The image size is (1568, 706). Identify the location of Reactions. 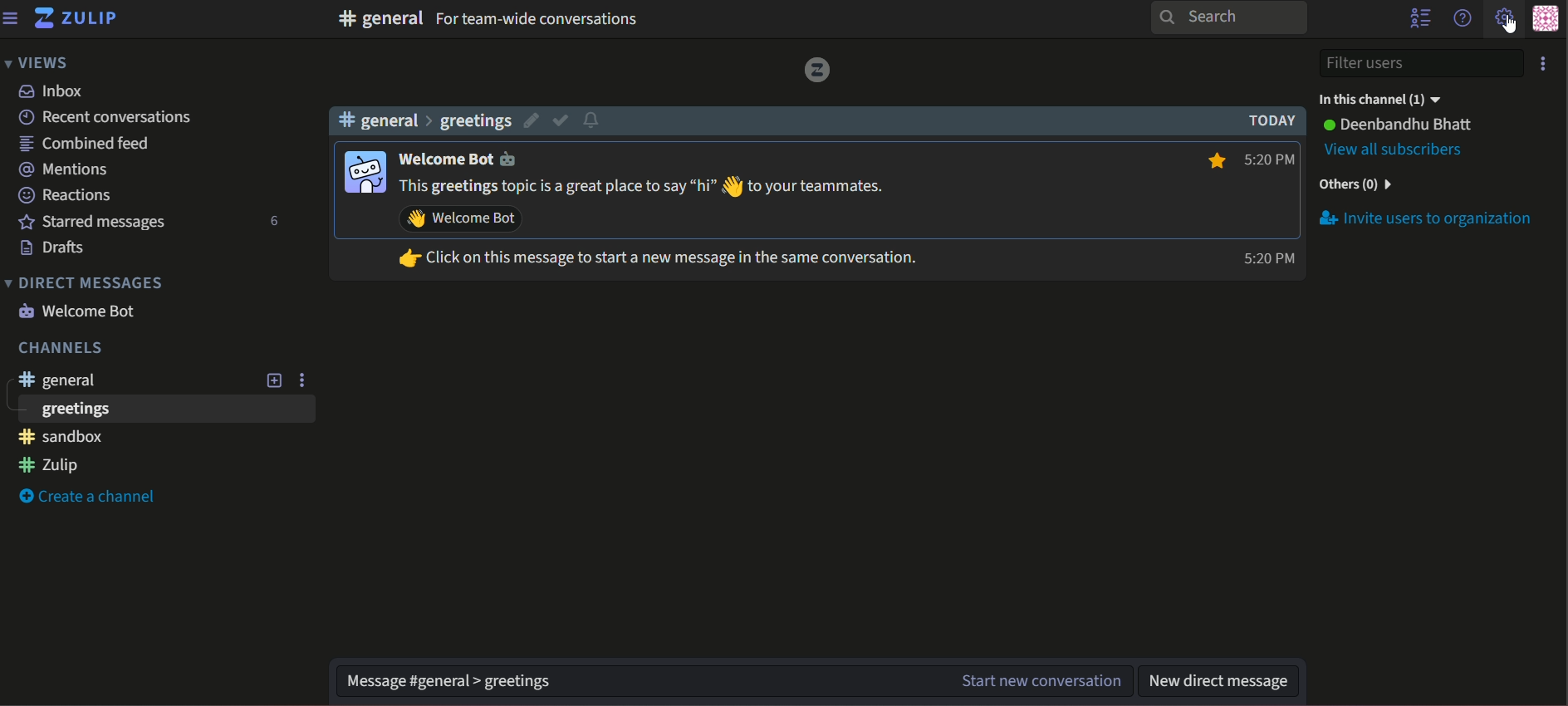
(66, 196).